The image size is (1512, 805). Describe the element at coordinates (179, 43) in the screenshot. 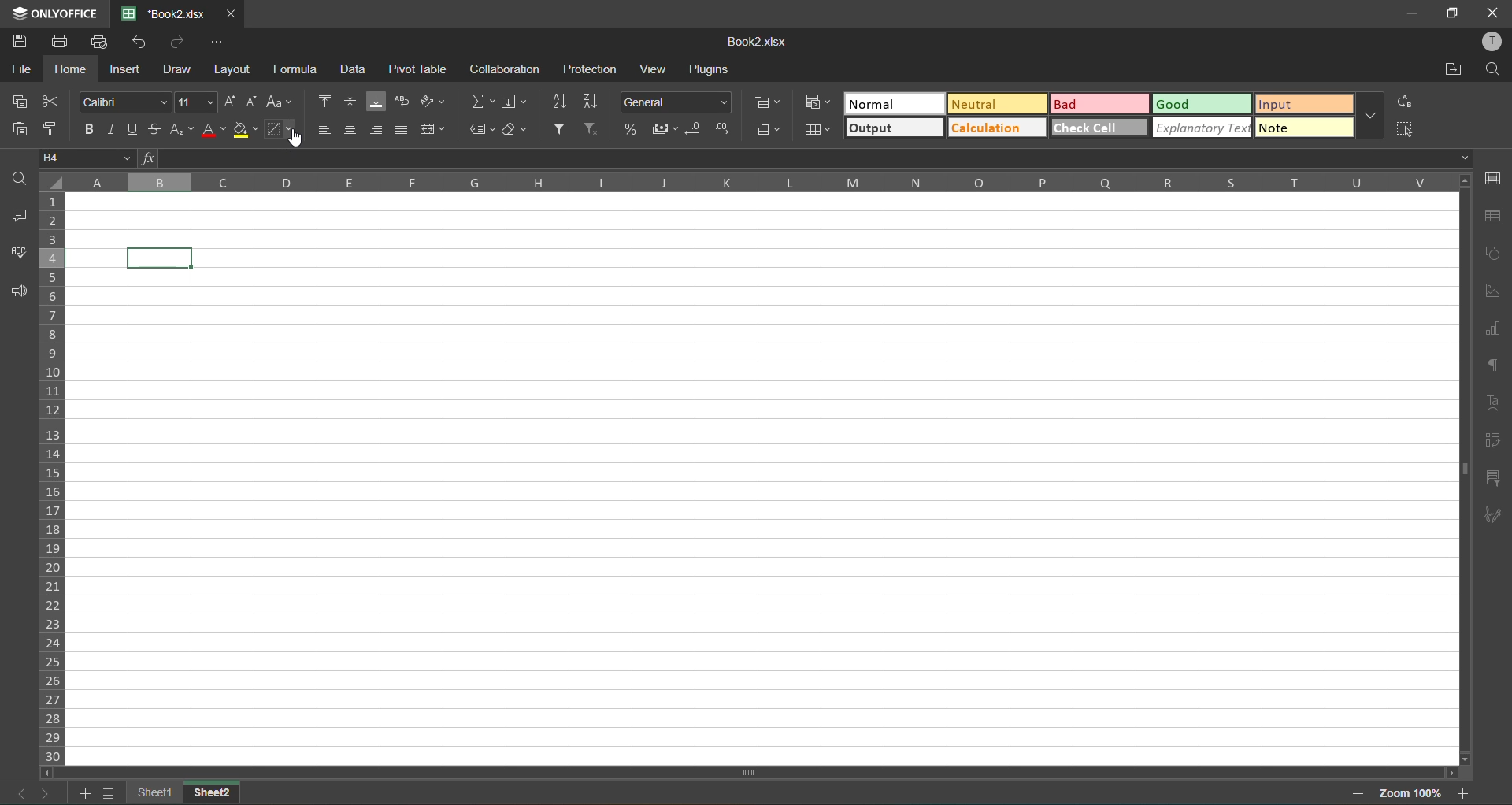

I see `redo` at that location.